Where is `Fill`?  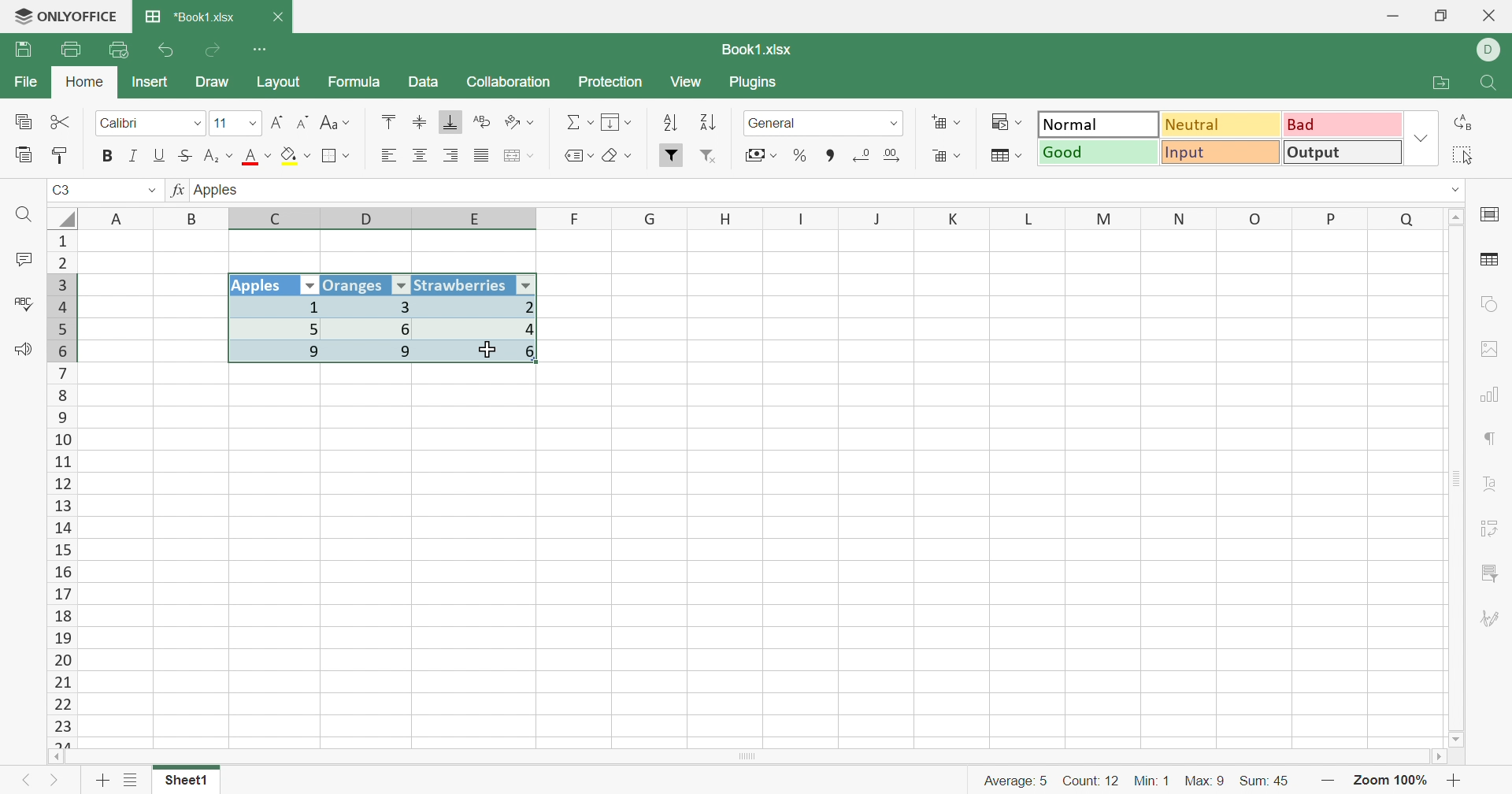 Fill is located at coordinates (618, 123).